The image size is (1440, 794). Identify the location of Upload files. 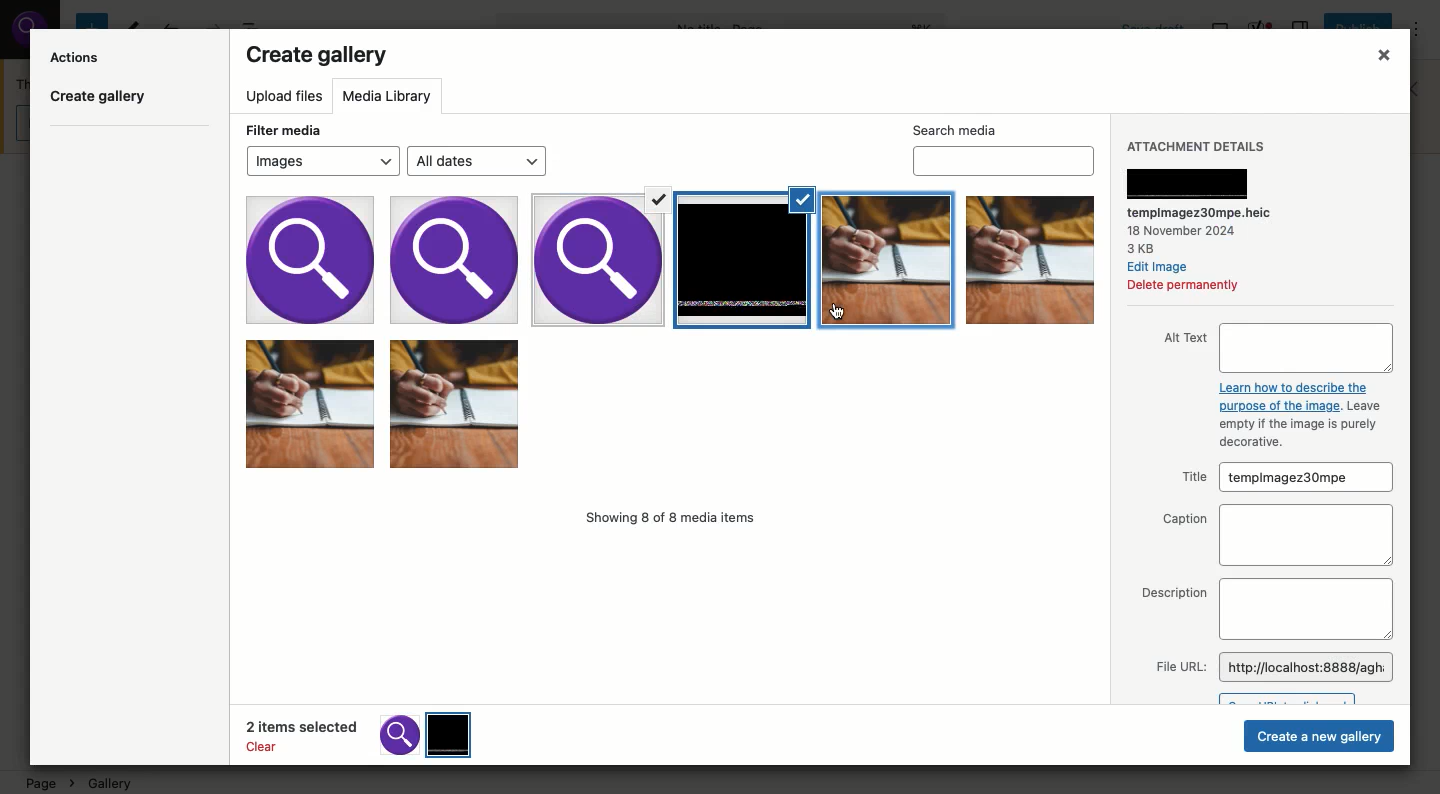
(285, 98).